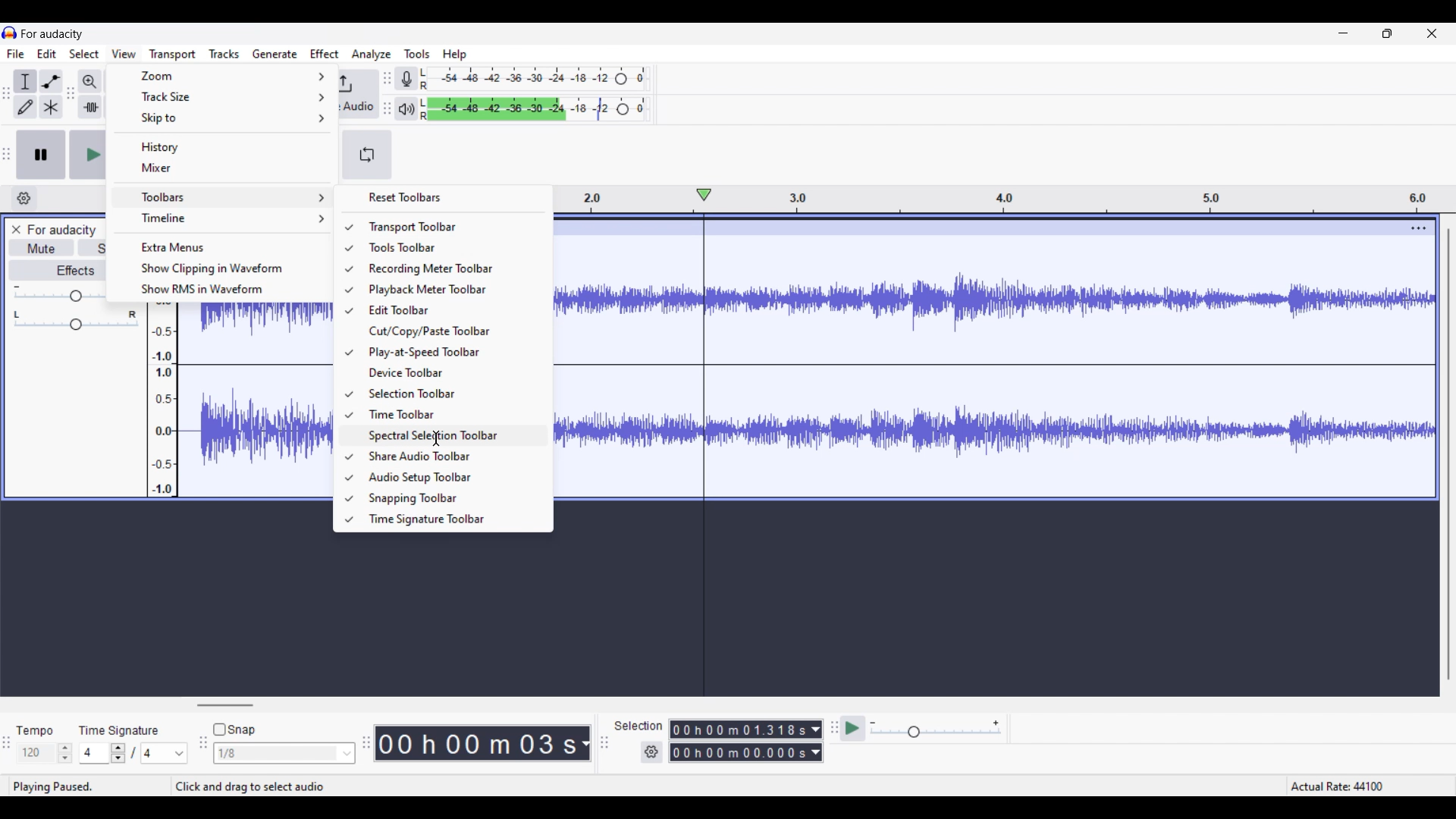 Image resolution: width=1456 pixels, height=819 pixels. What do you see at coordinates (1448, 454) in the screenshot?
I see `Vertical slide bar` at bounding box center [1448, 454].